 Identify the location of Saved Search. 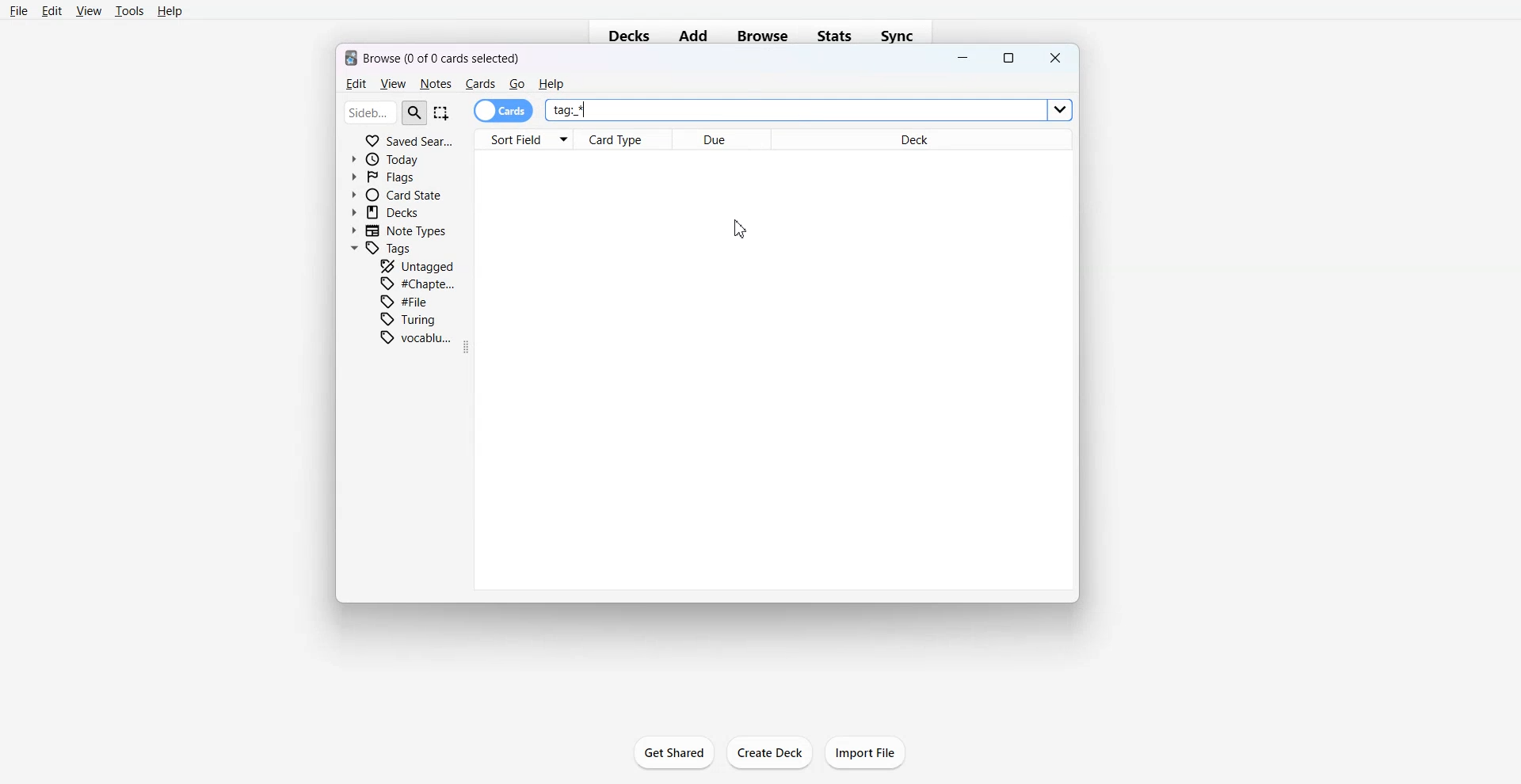
(409, 139).